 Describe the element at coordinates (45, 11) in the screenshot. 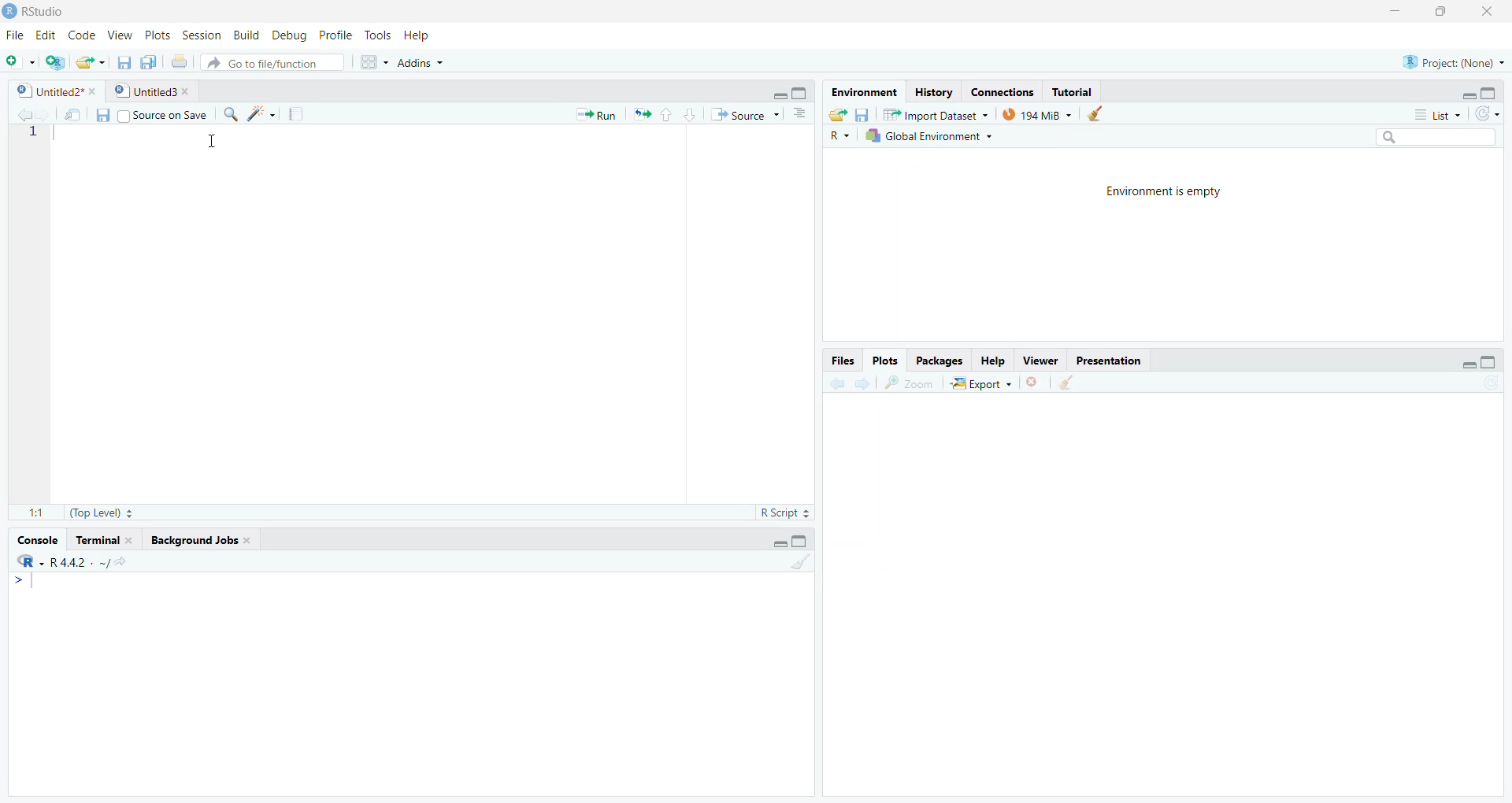

I see `RStudio` at that location.